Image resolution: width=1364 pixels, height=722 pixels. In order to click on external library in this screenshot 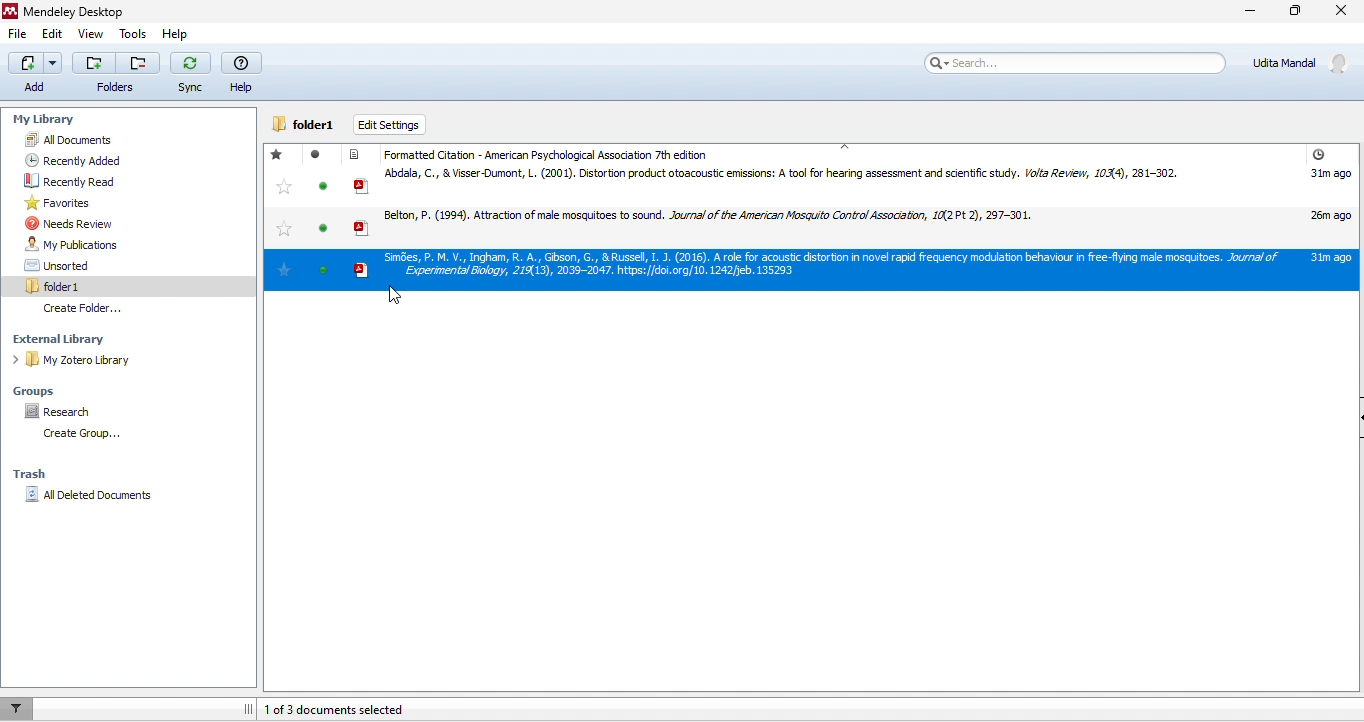, I will do `click(89, 339)`.